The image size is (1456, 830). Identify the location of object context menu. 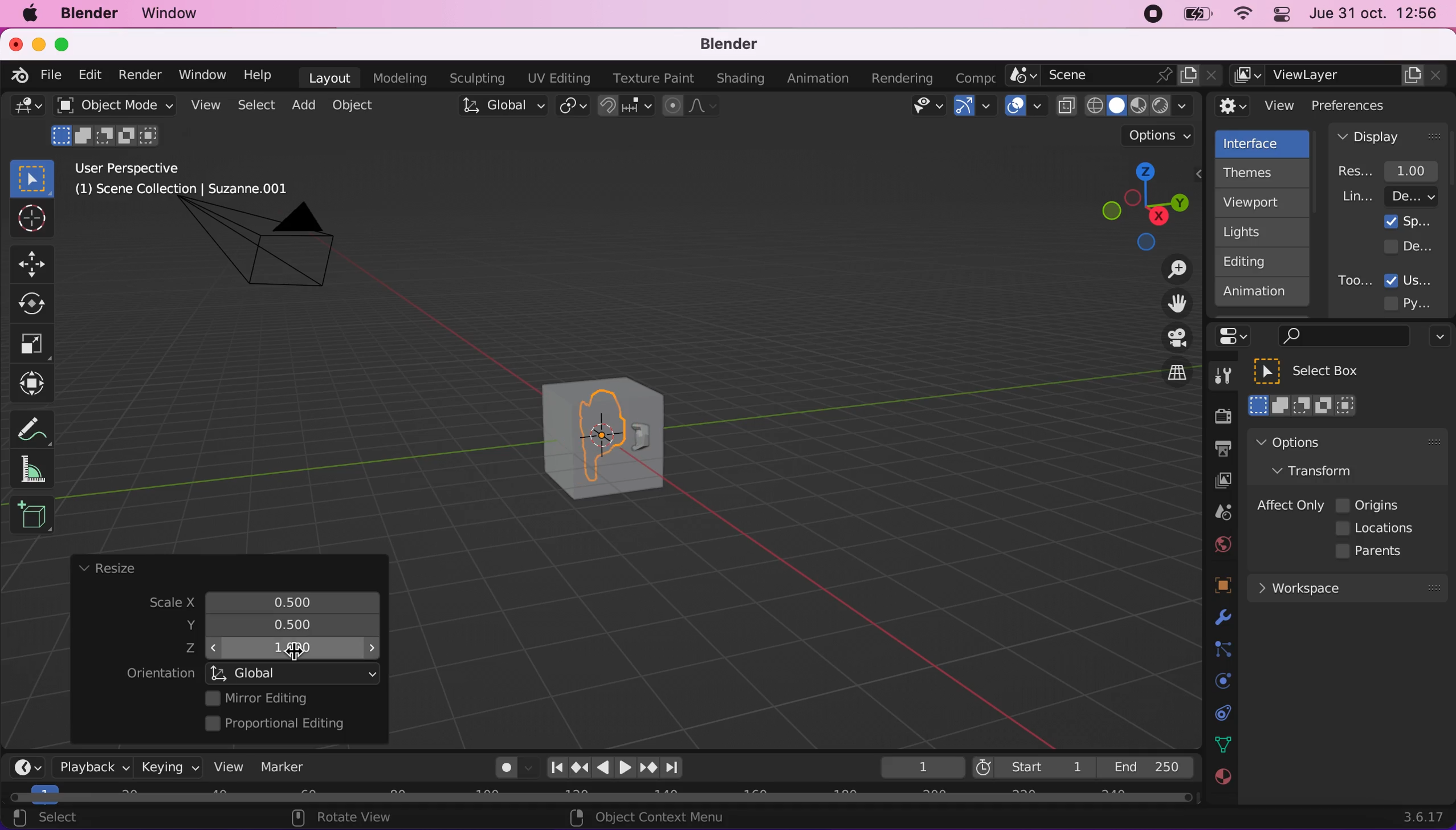
(651, 817).